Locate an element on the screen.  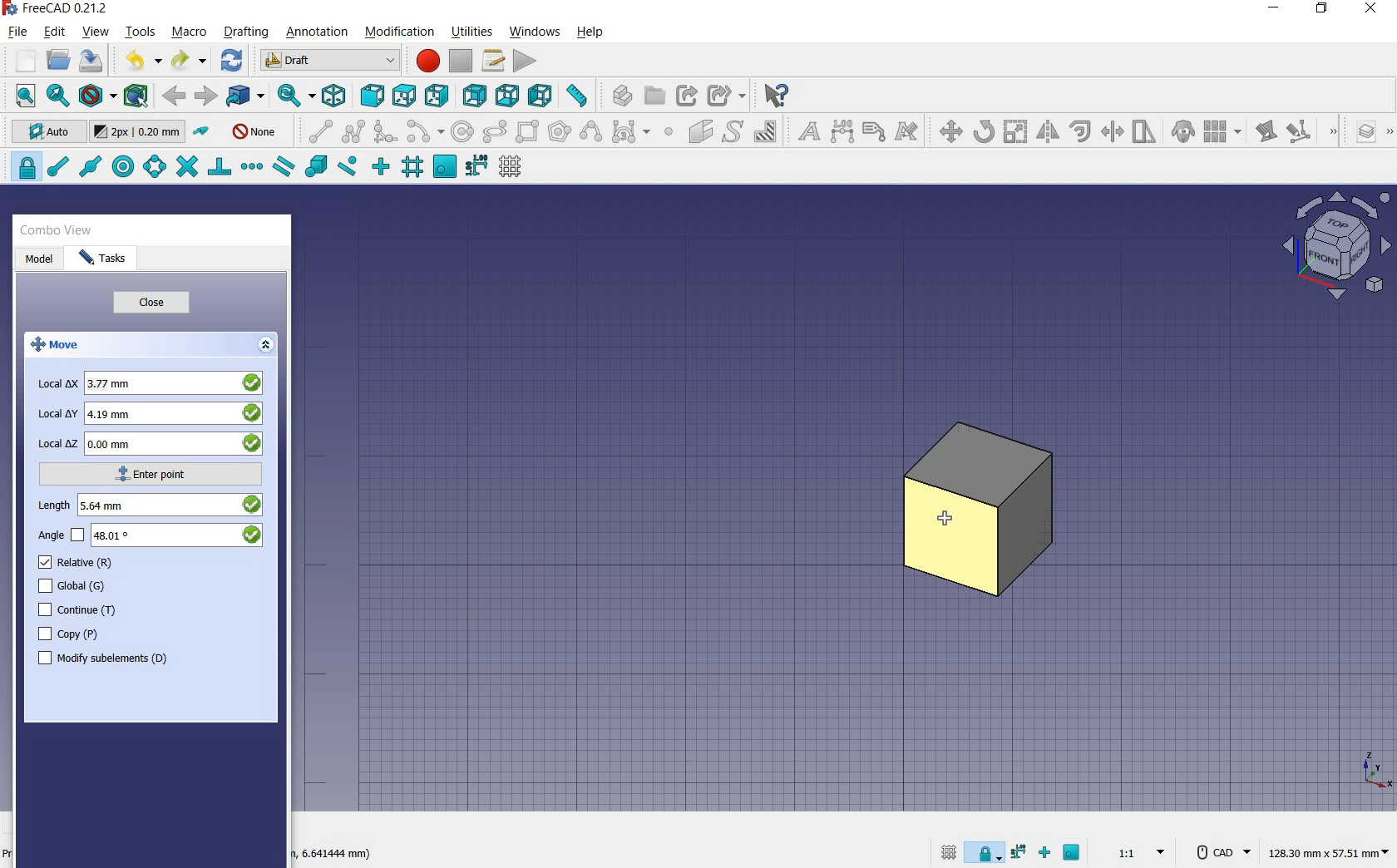
drafting is located at coordinates (246, 32).